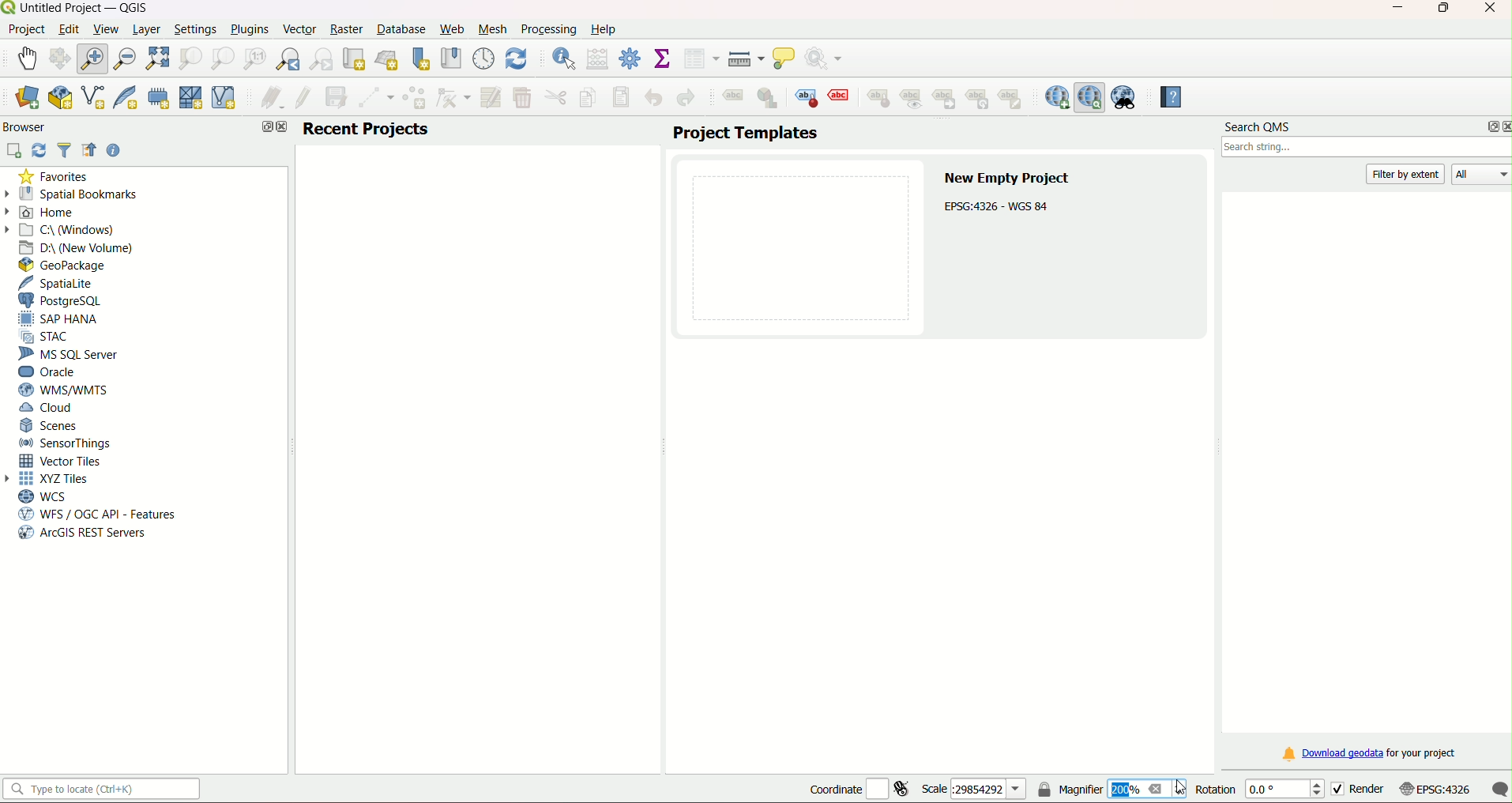  I want to click on C:\ (windows), so click(70, 229).